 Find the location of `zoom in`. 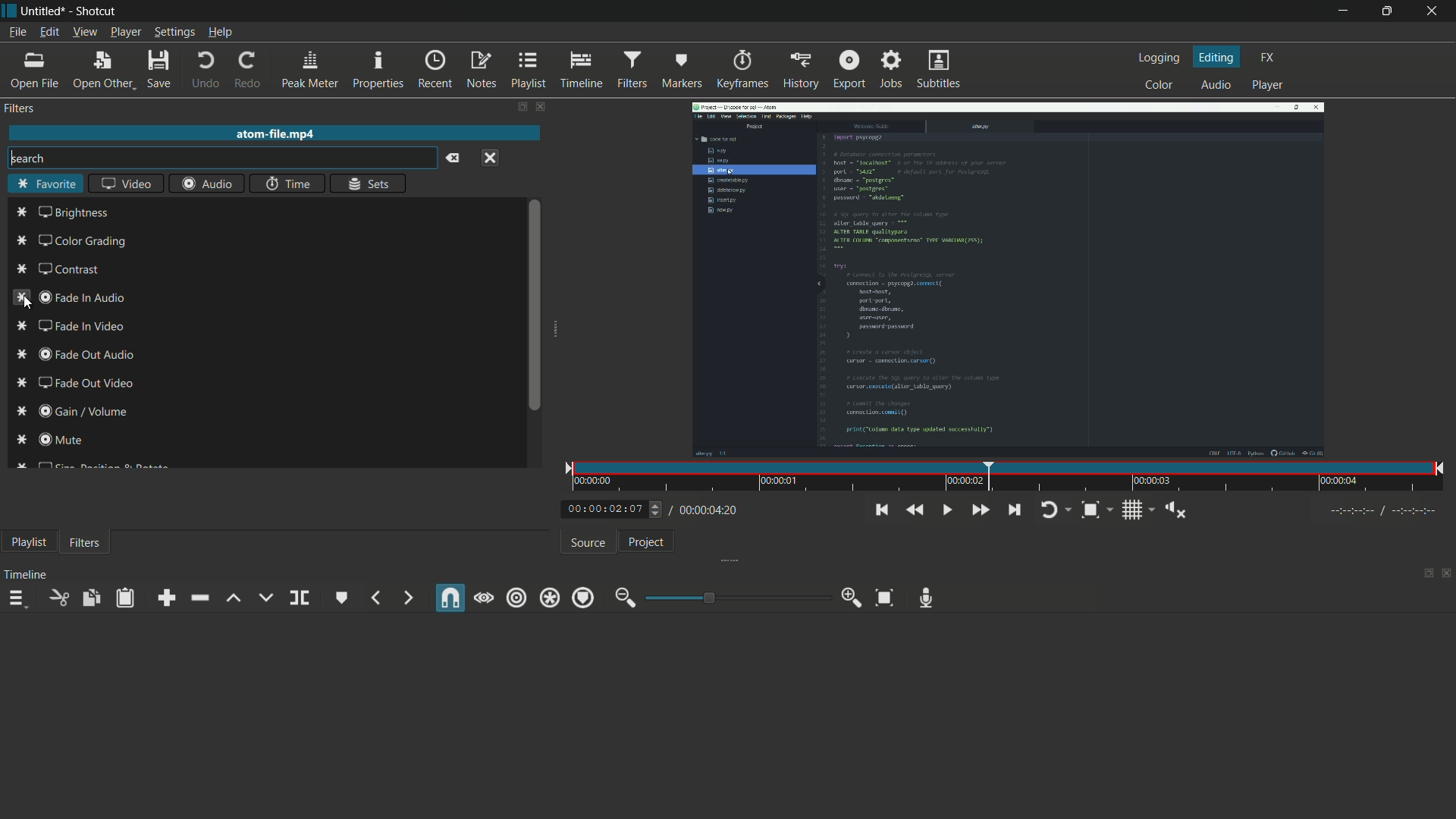

zoom in is located at coordinates (852, 598).